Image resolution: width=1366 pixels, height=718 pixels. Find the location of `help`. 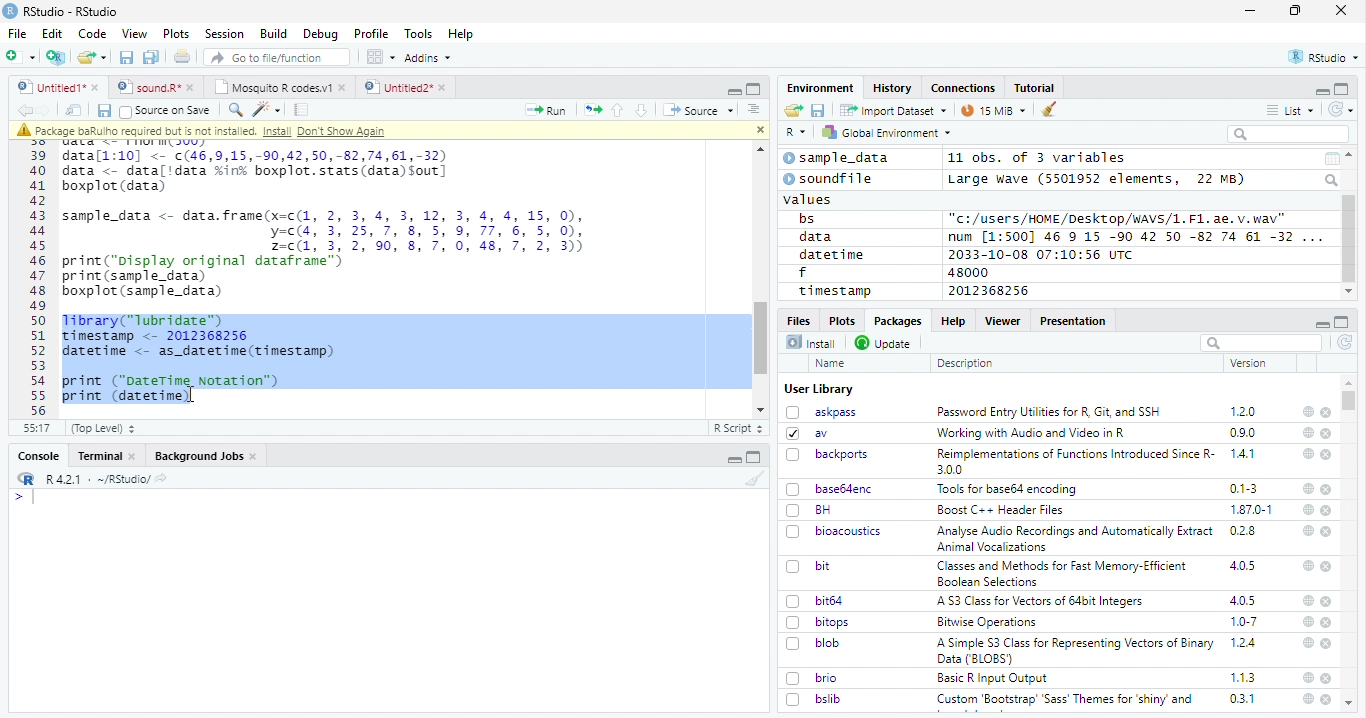

help is located at coordinates (1308, 432).